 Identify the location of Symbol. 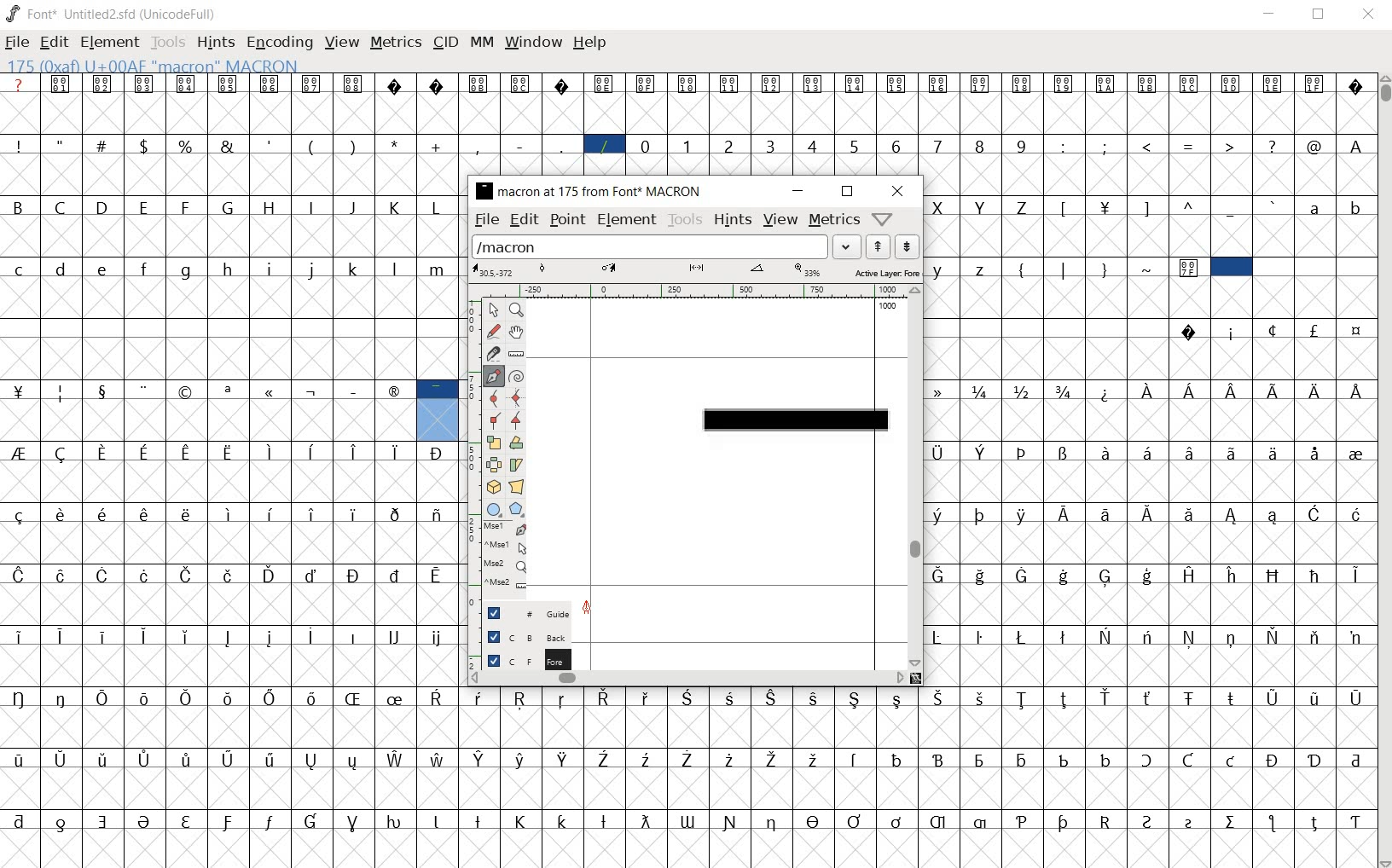
(1315, 574).